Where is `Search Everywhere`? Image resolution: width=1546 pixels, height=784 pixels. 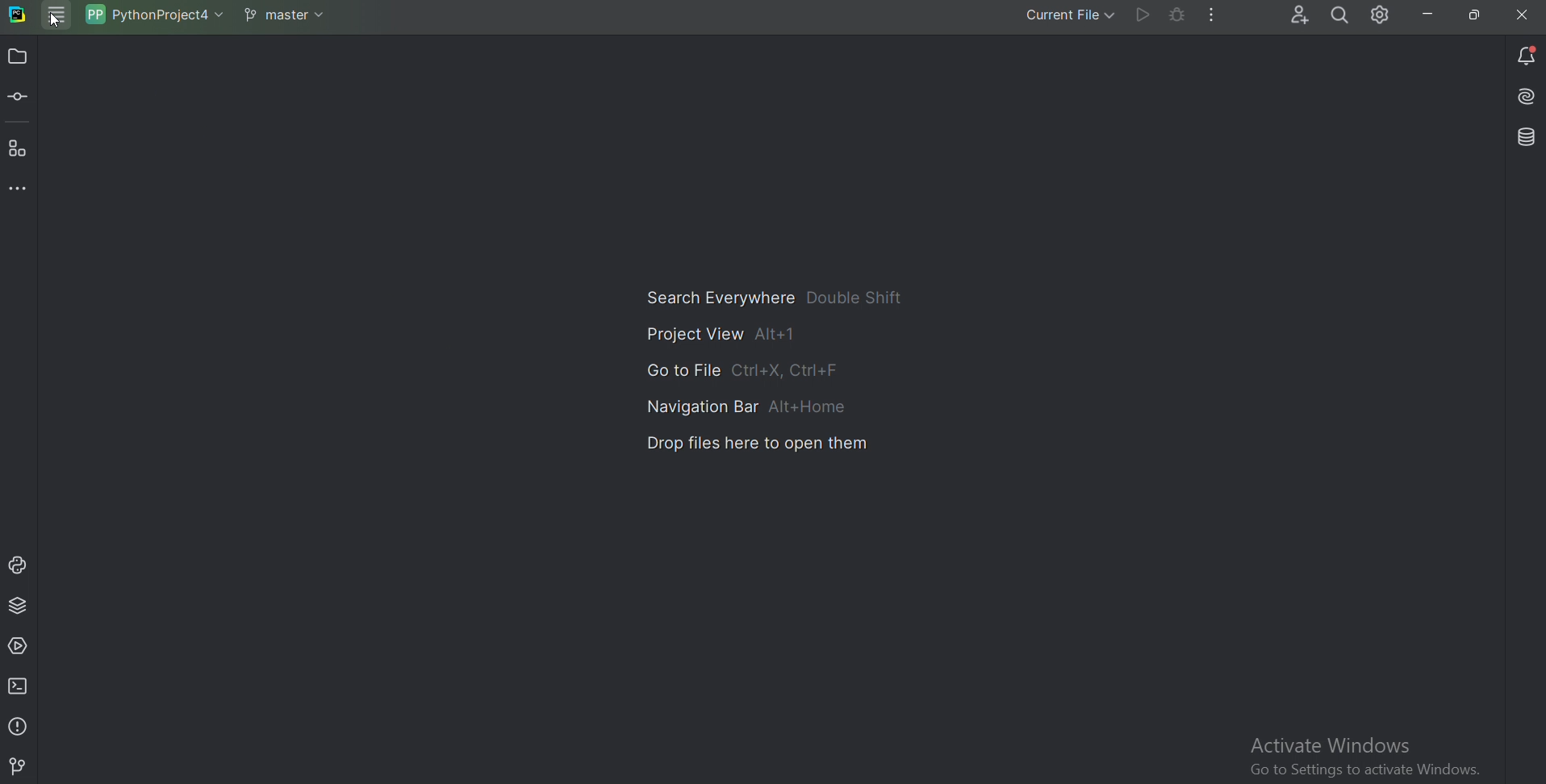 Search Everywhere is located at coordinates (767, 298).